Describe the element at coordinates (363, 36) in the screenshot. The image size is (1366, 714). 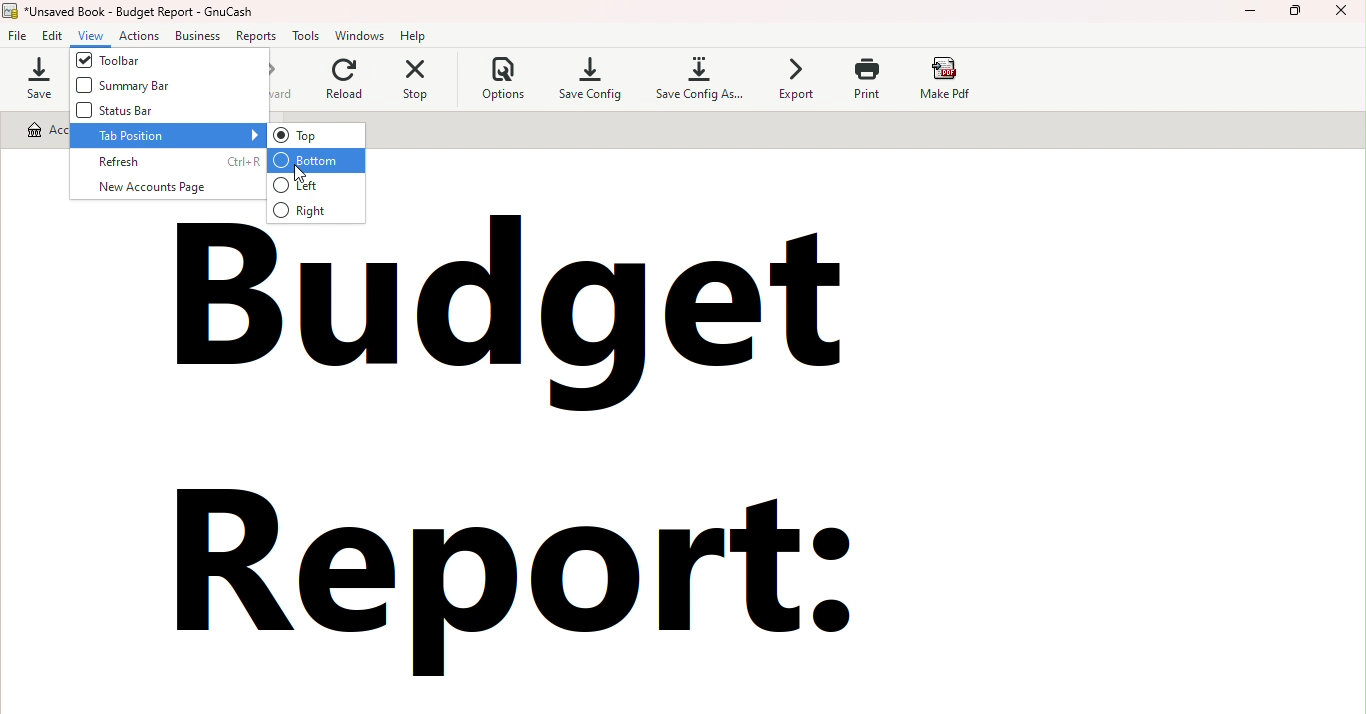
I see `Windows` at that location.